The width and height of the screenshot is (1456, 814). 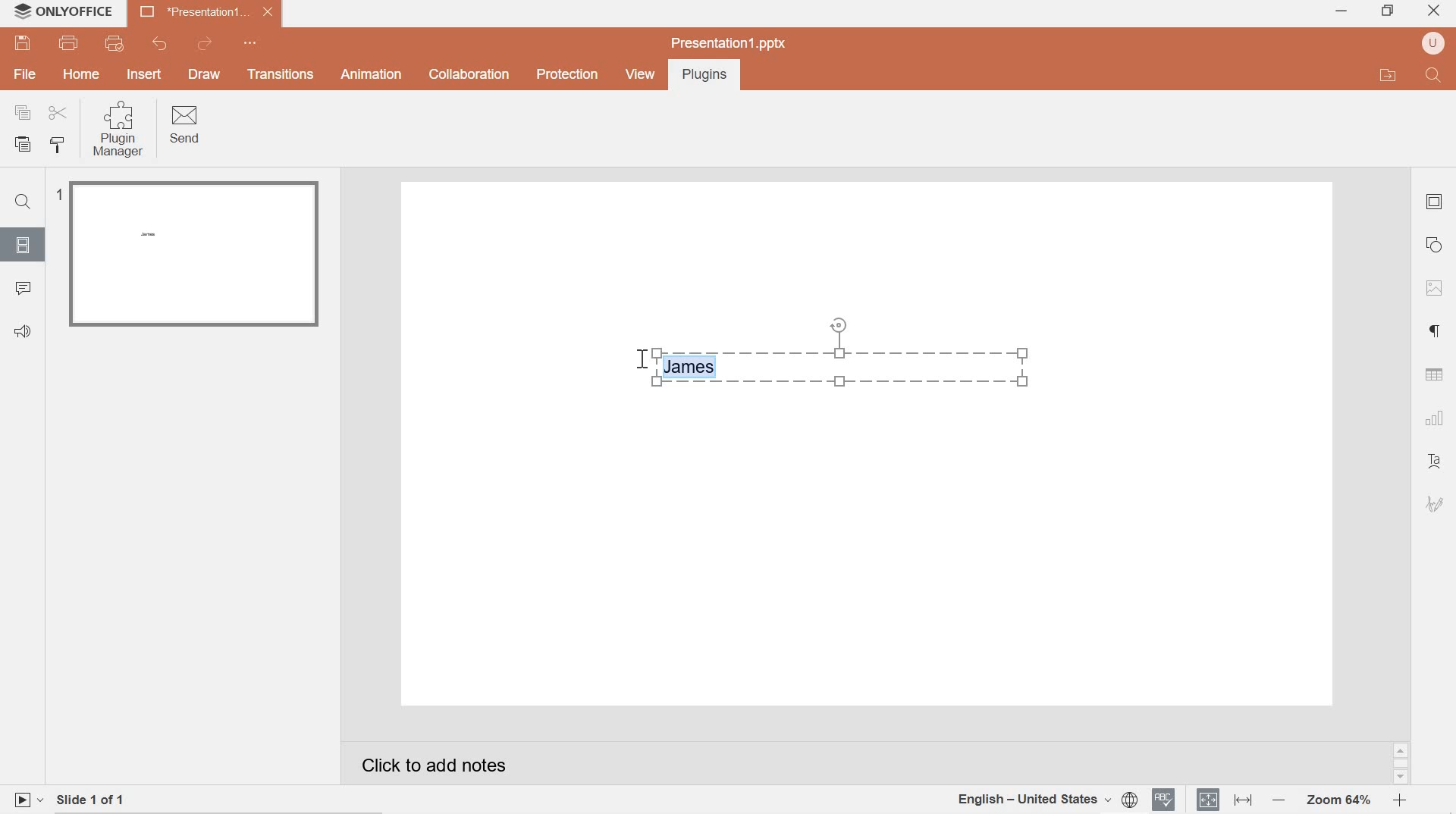 What do you see at coordinates (1400, 764) in the screenshot?
I see `scrollbar` at bounding box center [1400, 764].